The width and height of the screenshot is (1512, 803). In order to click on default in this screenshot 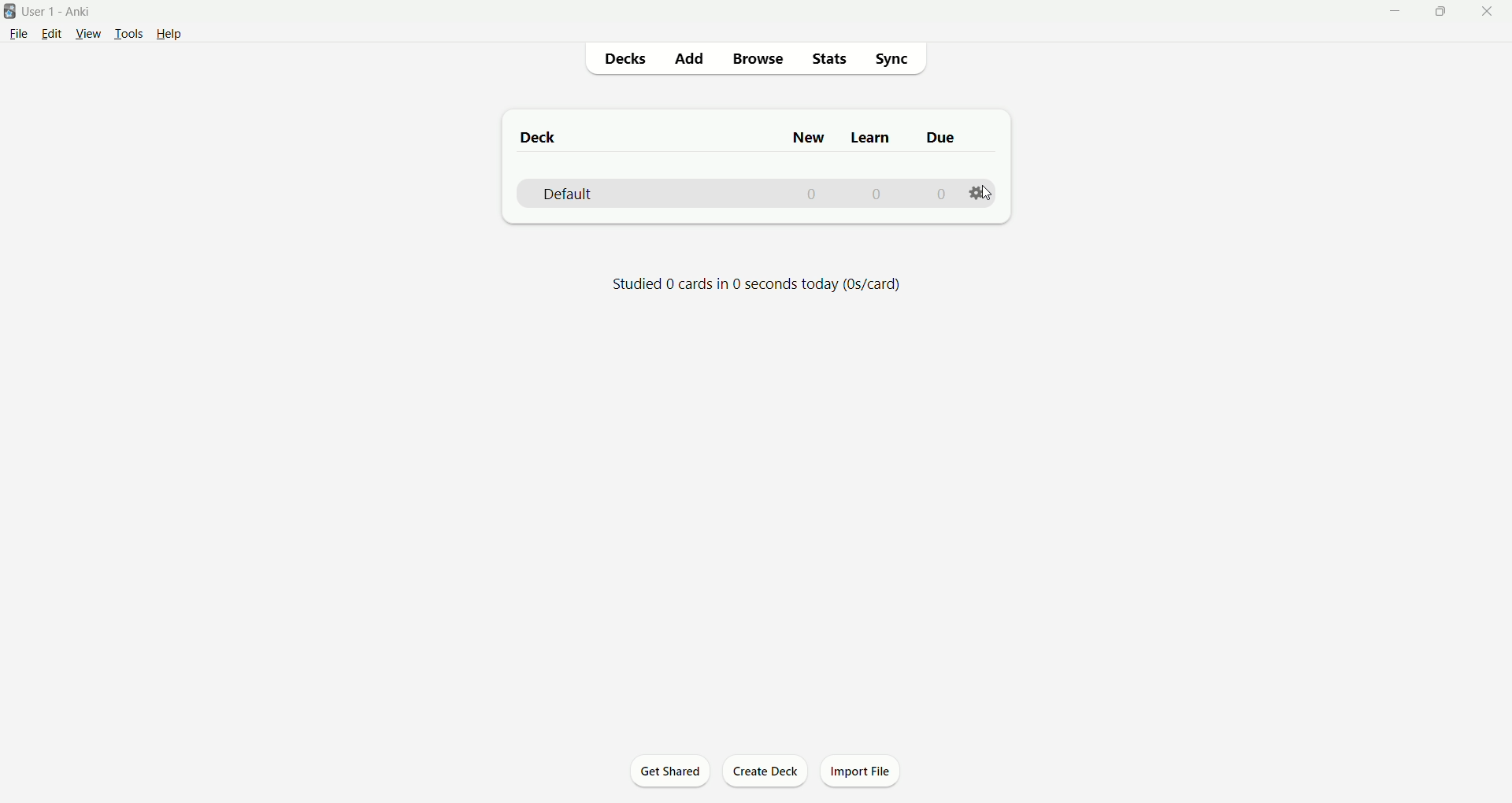, I will do `click(569, 195)`.